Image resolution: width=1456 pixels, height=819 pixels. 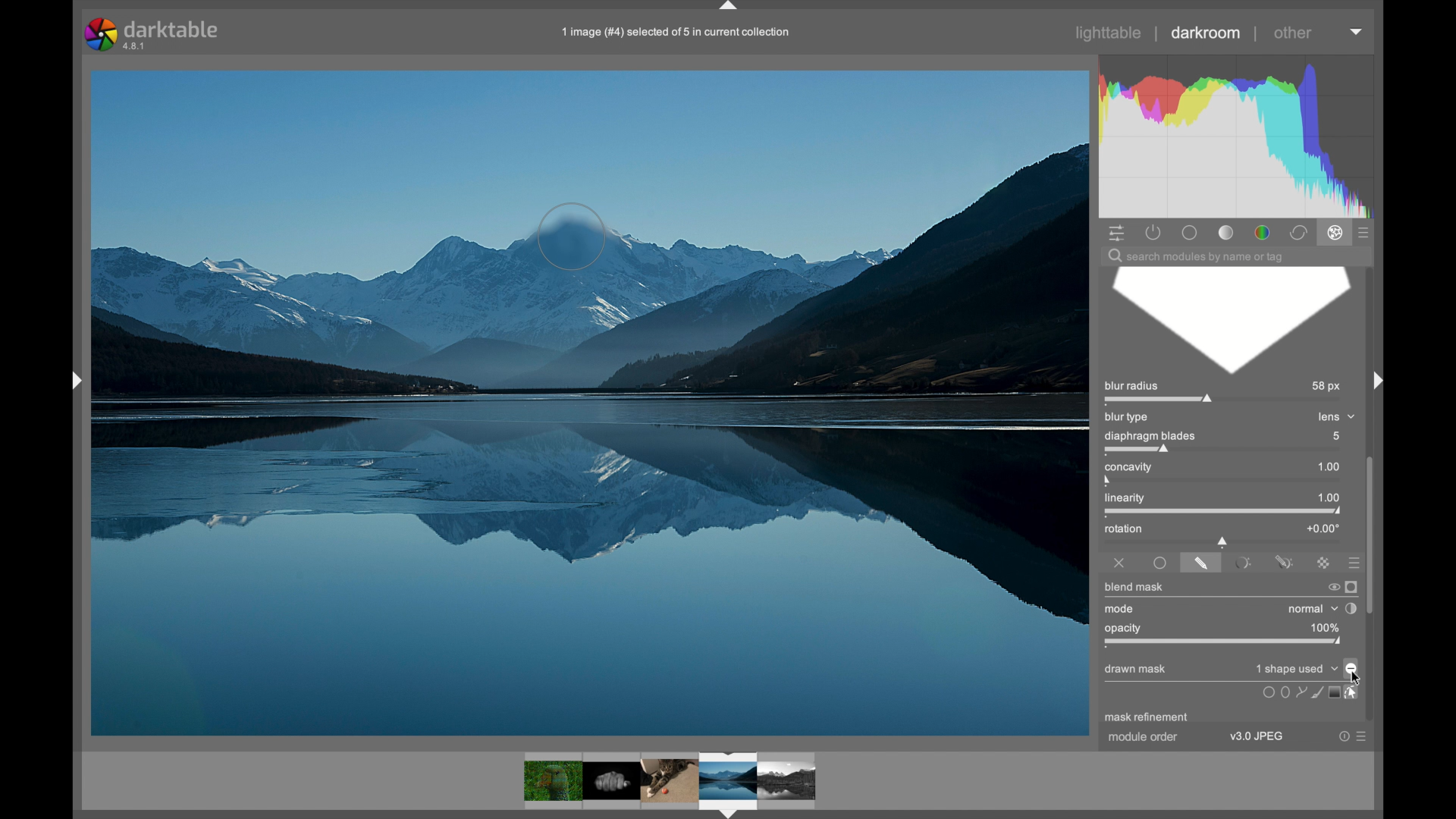 What do you see at coordinates (1284, 560) in the screenshot?
I see `drawn and parametric mask` at bounding box center [1284, 560].